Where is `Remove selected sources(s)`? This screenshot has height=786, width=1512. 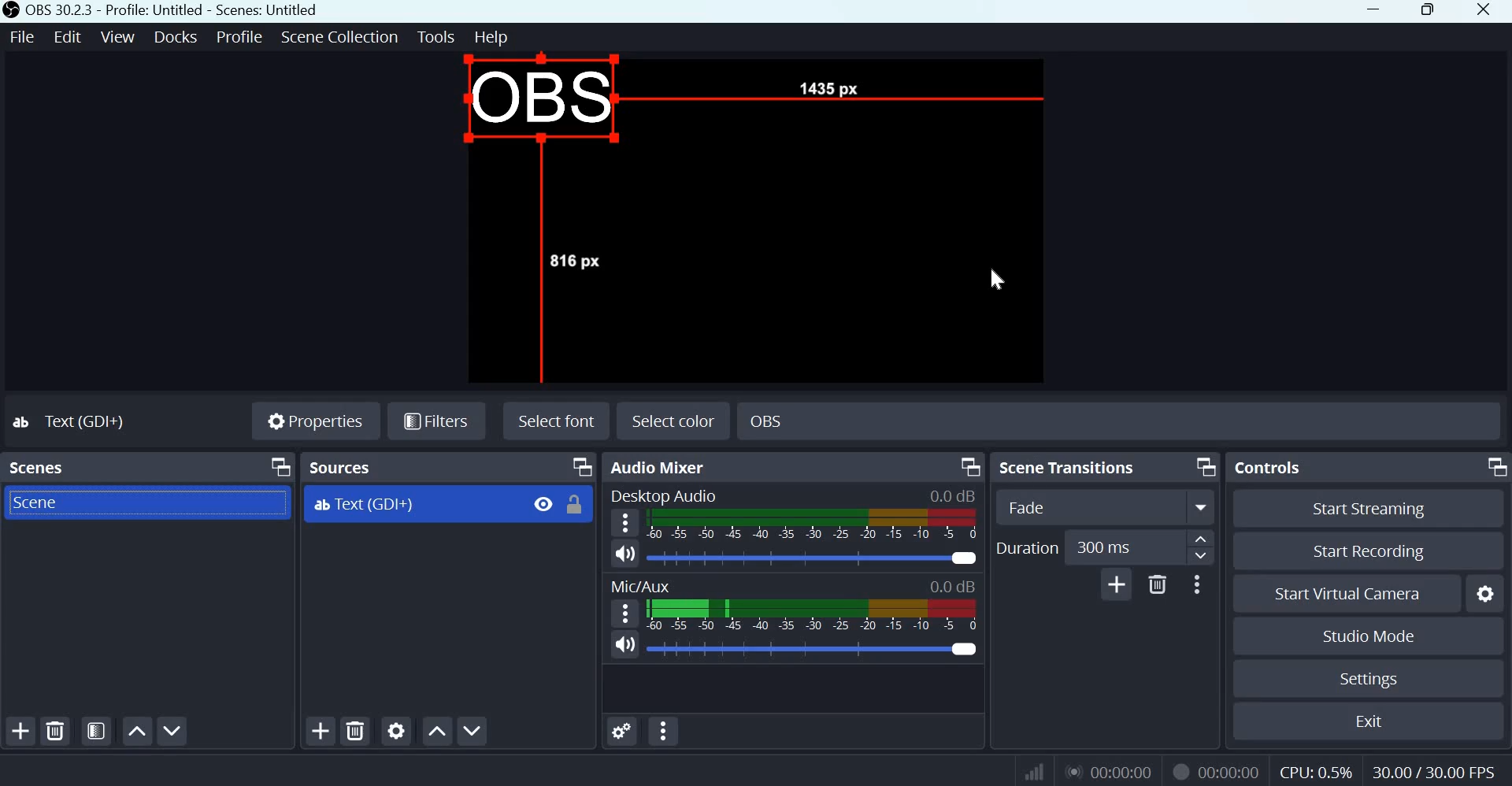
Remove selected sources(s) is located at coordinates (355, 729).